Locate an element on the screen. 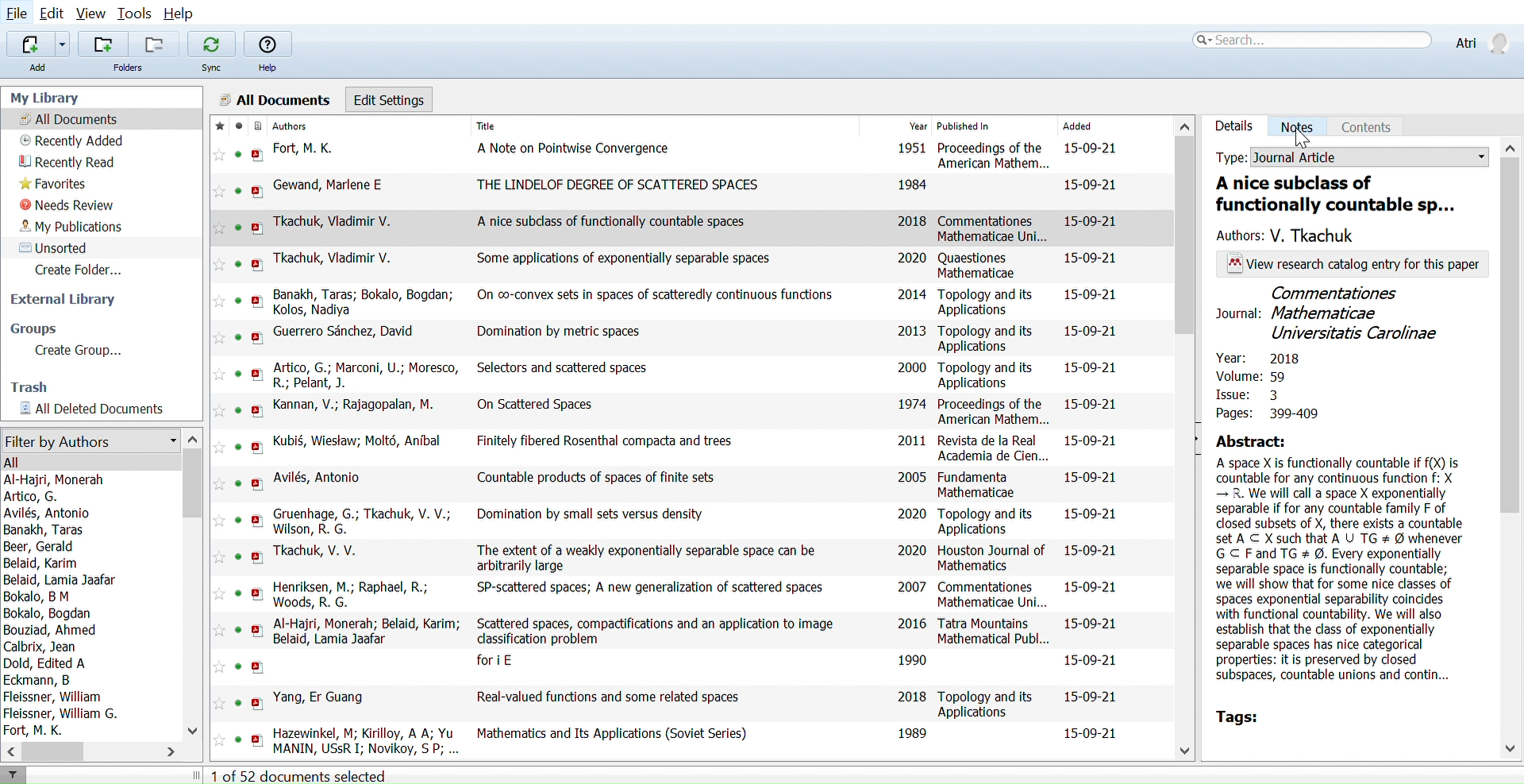 Image resolution: width=1524 pixels, height=784 pixels. Type: is located at coordinates (1229, 157).